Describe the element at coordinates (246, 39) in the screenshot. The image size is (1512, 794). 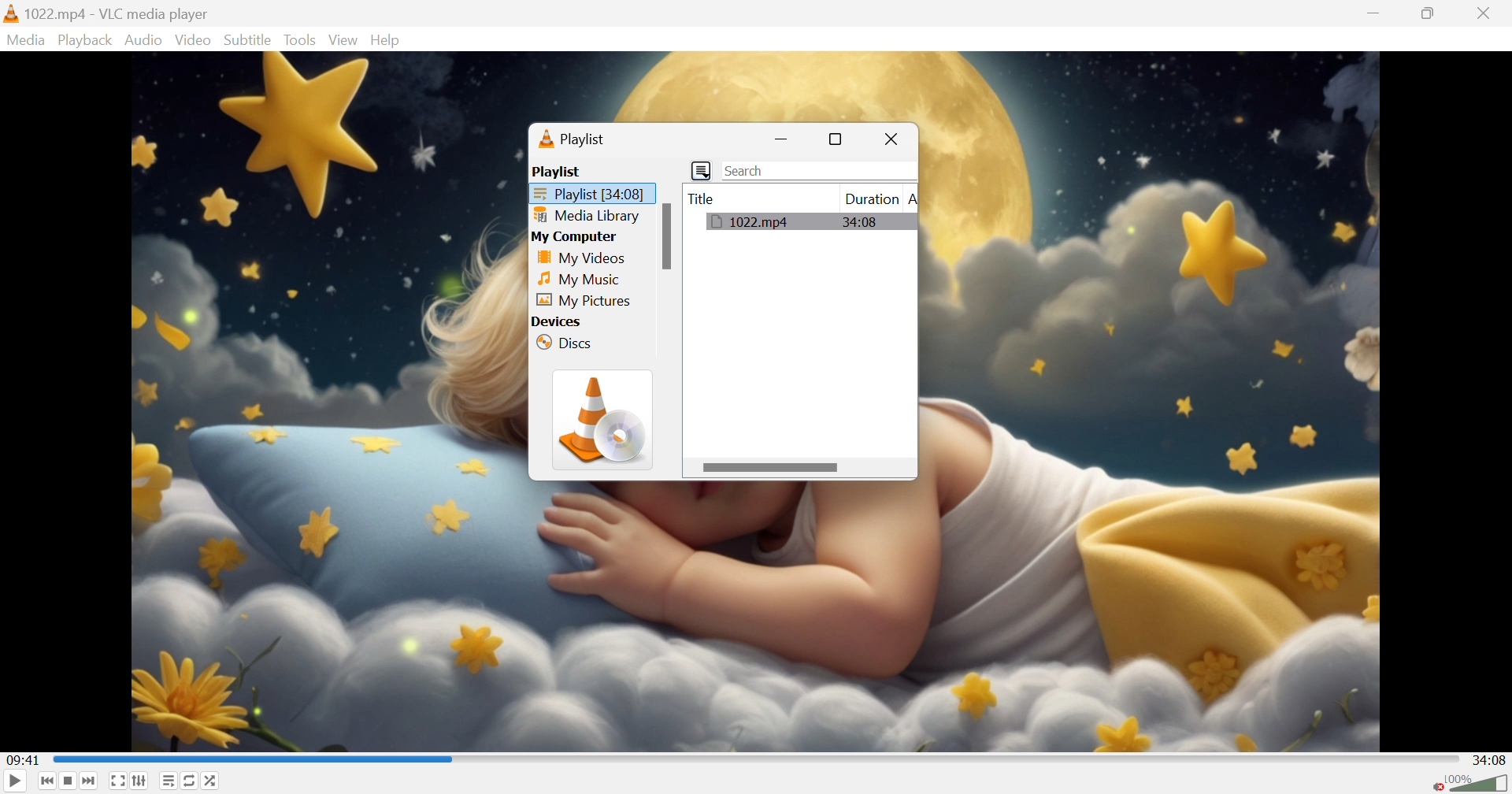
I see `Subtitle` at that location.